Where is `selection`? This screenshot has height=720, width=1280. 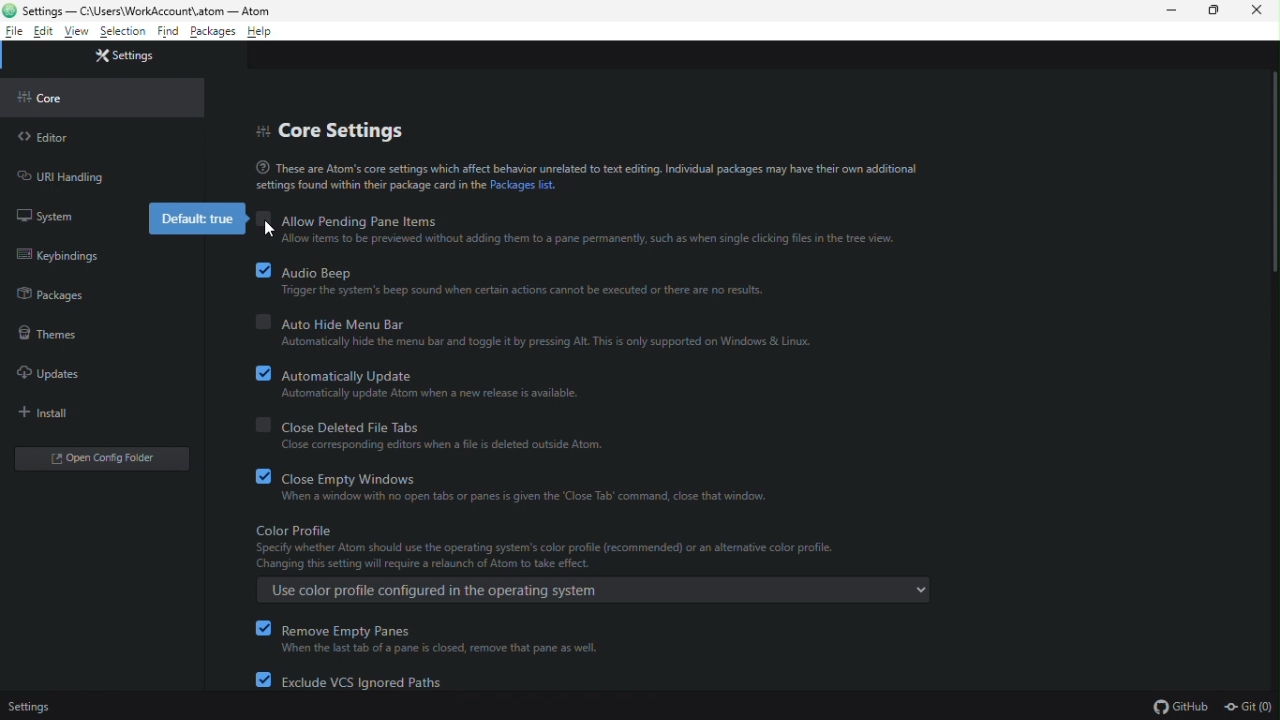
selection is located at coordinates (124, 31).